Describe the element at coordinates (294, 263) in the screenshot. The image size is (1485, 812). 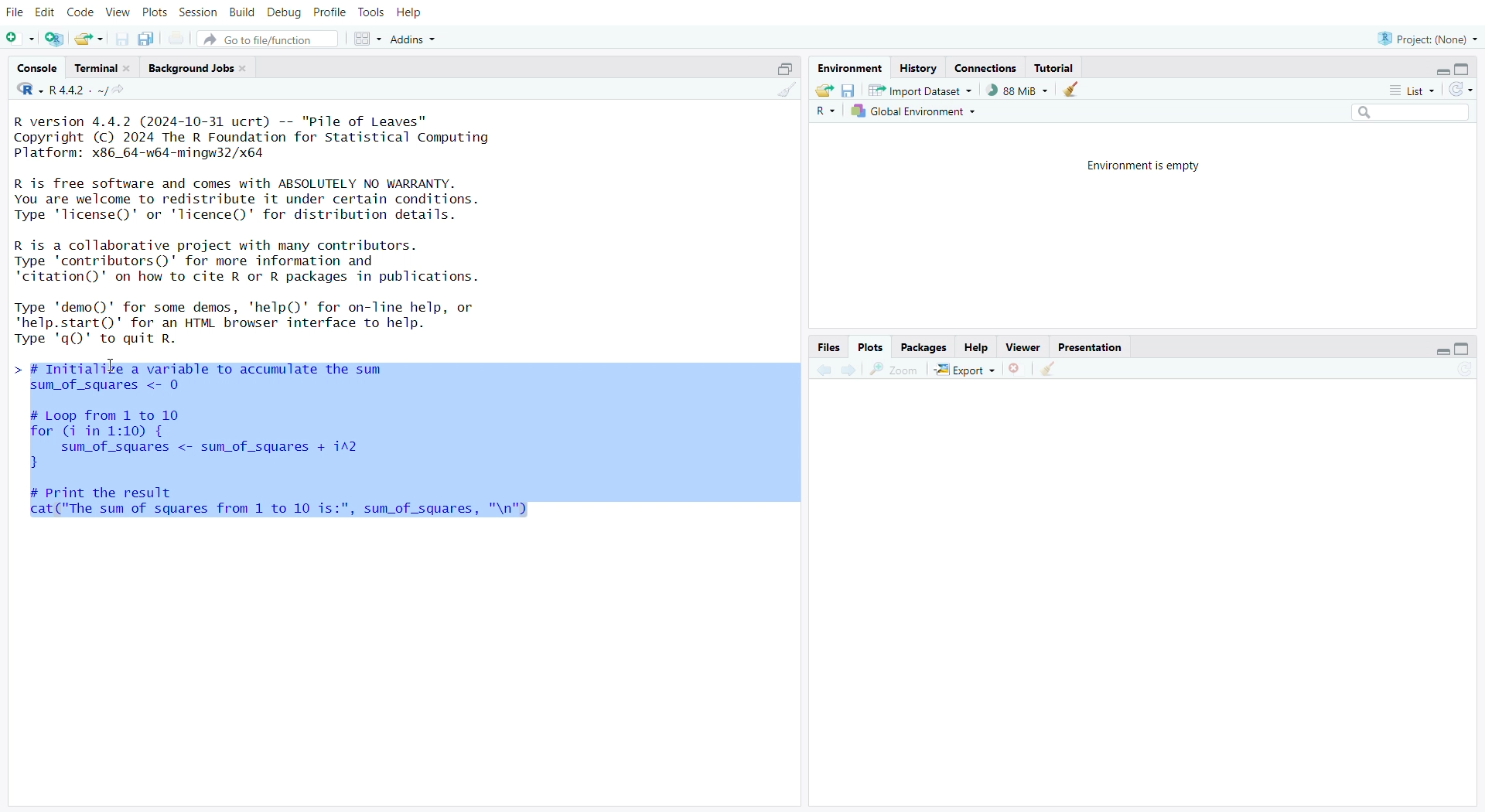
I see `R is a collaborative project with many contributors.
Type 'contributors()' for more information and
"citation()' on how to cite R or R packages in publications.` at that location.